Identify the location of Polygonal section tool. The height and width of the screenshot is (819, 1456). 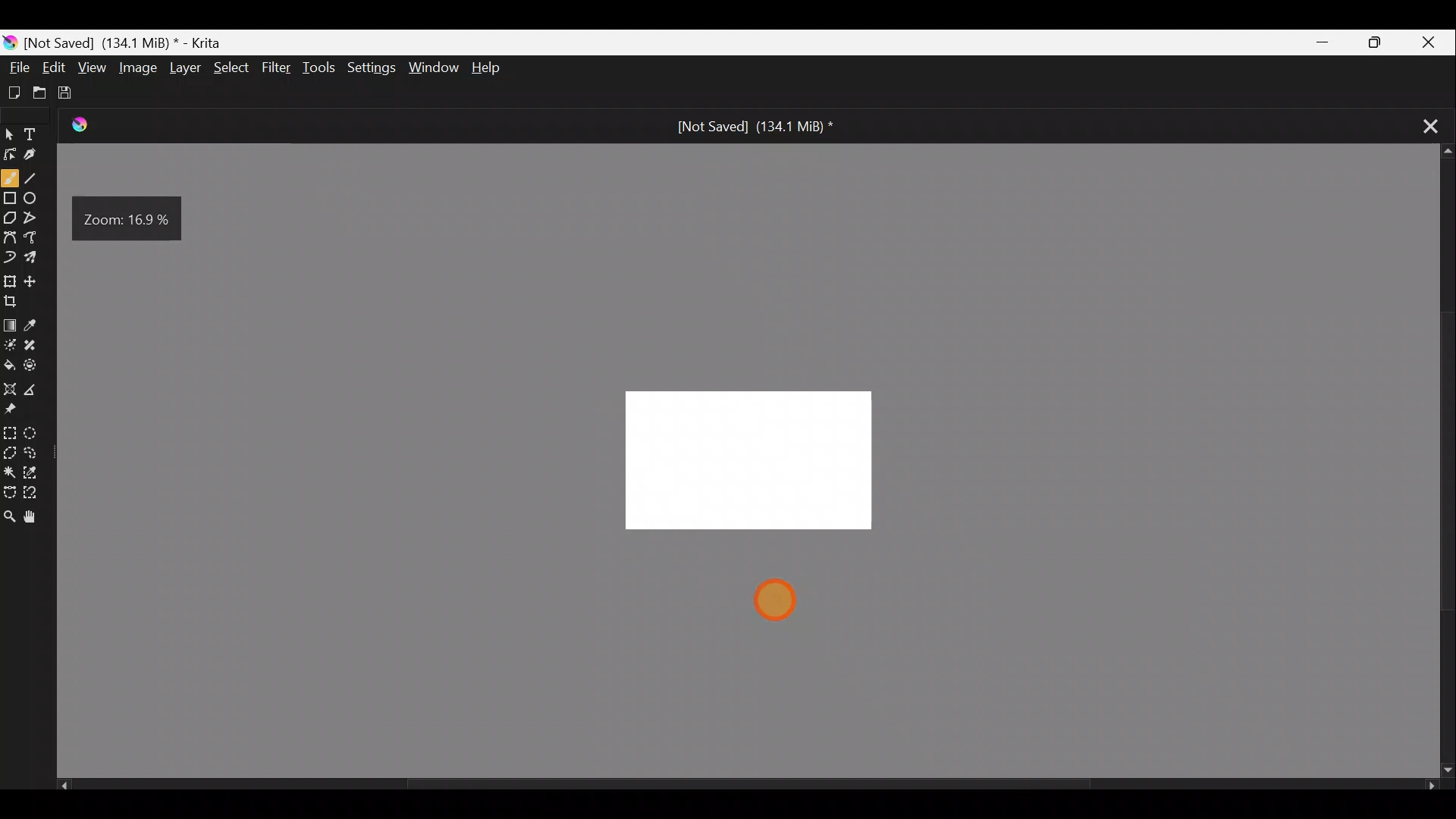
(11, 454).